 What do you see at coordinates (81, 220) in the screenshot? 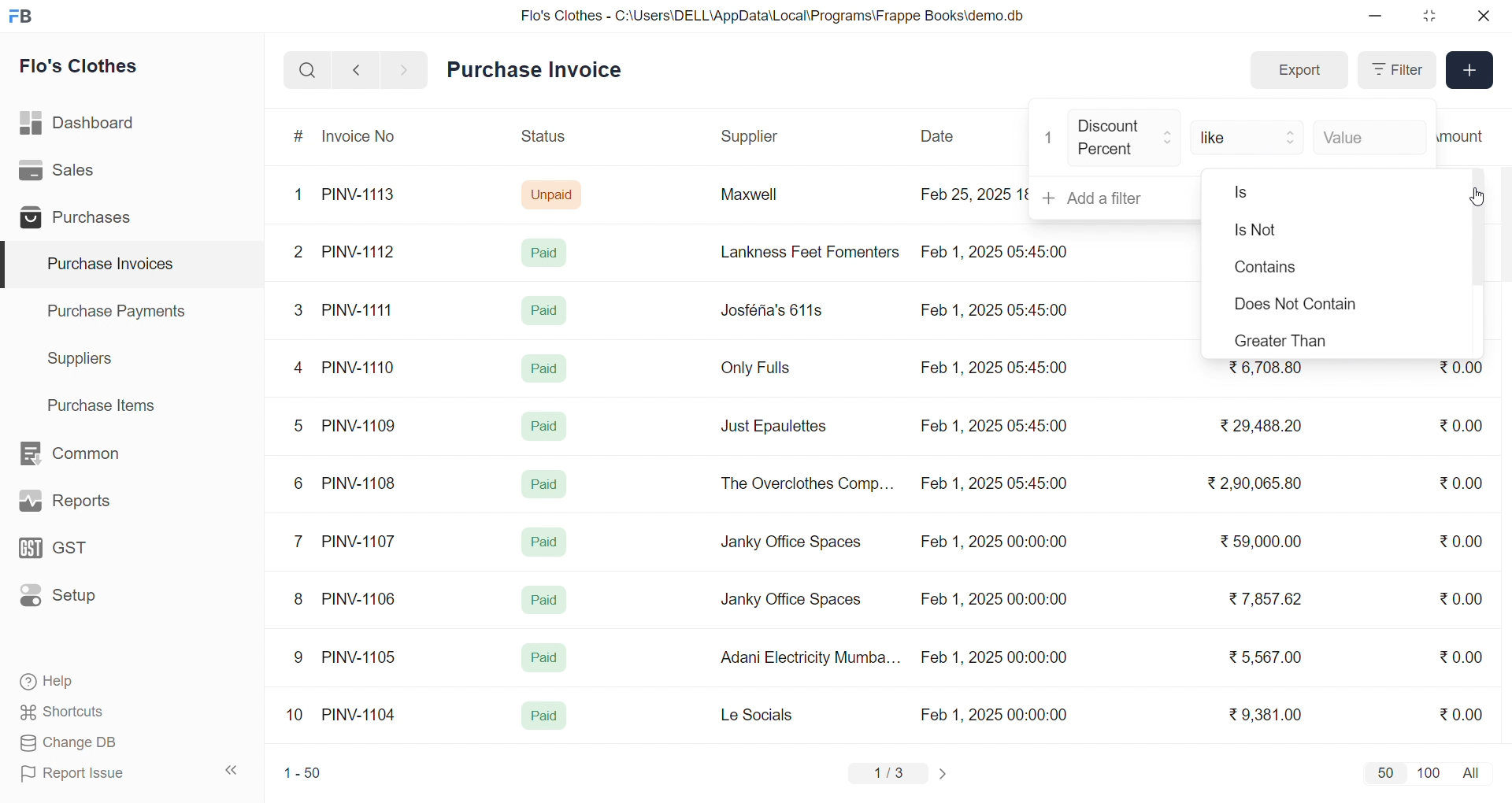
I see `Purchases` at bounding box center [81, 220].